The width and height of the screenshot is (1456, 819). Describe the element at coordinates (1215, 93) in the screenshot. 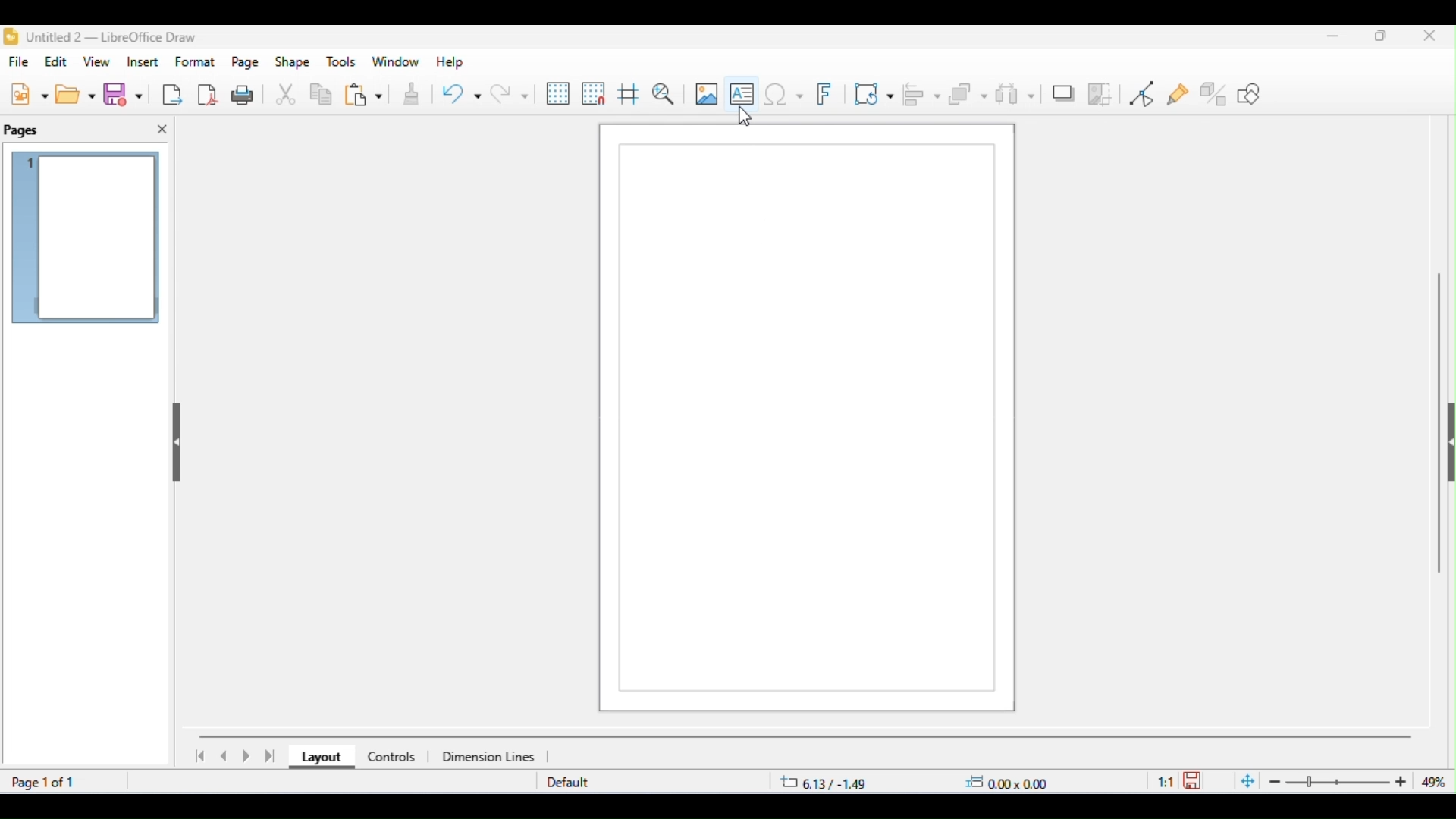

I see `show extrusion` at that location.